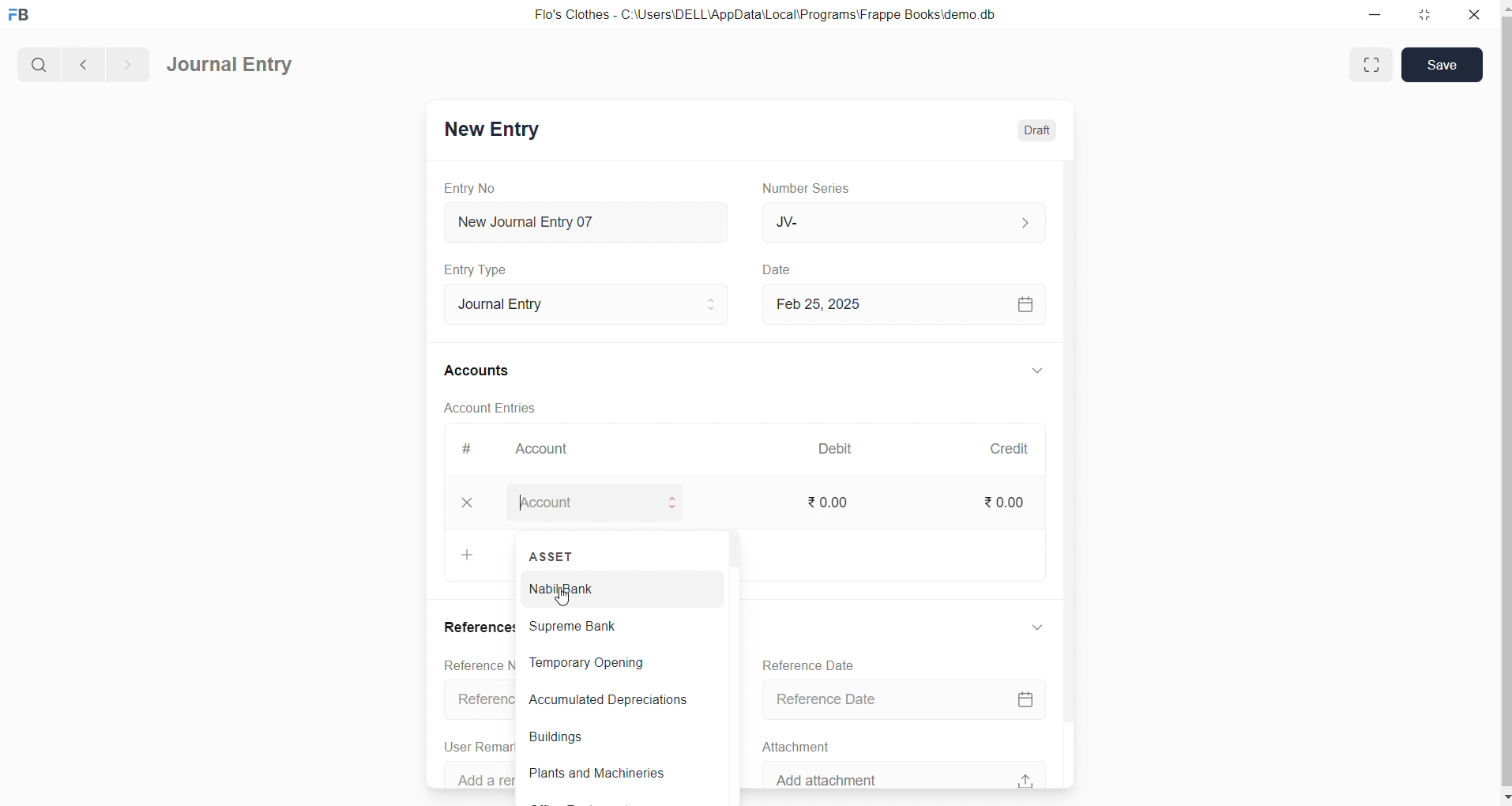 This screenshot has width=1512, height=806. I want to click on Reference Number, so click(473, 665).